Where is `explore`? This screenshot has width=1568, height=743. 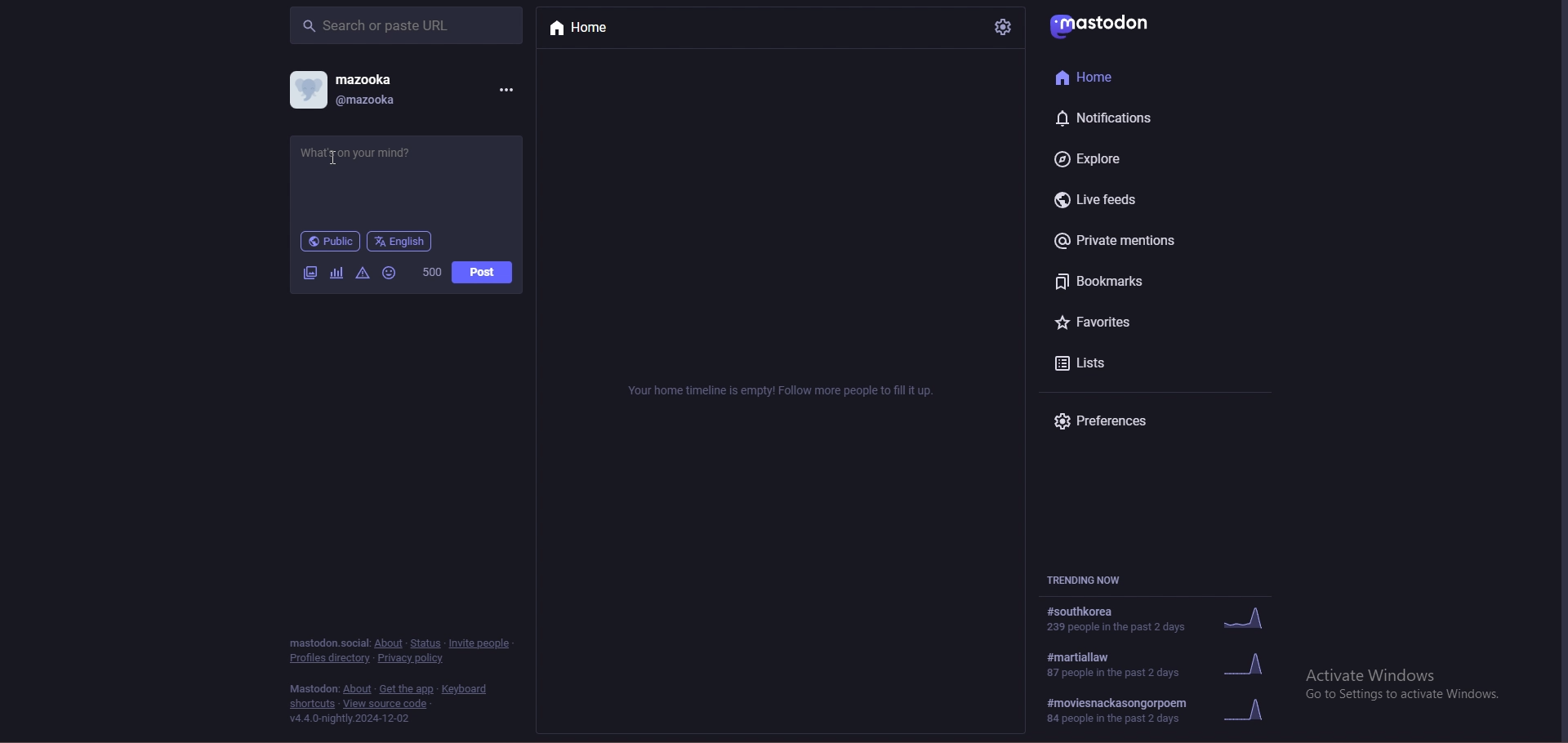
explore is located at coordinates (1111, 158).